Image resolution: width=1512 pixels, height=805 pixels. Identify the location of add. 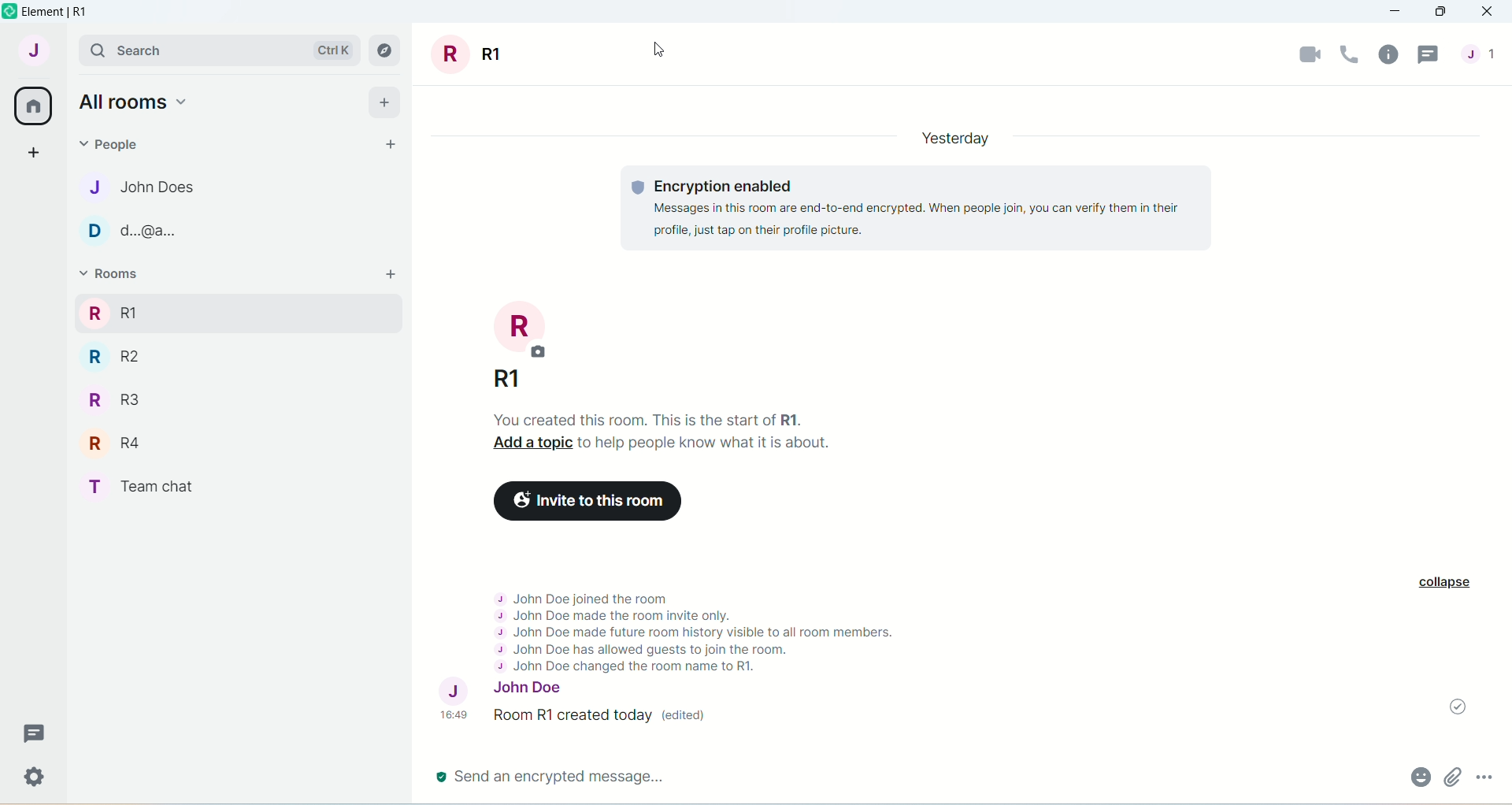
(385, 105).